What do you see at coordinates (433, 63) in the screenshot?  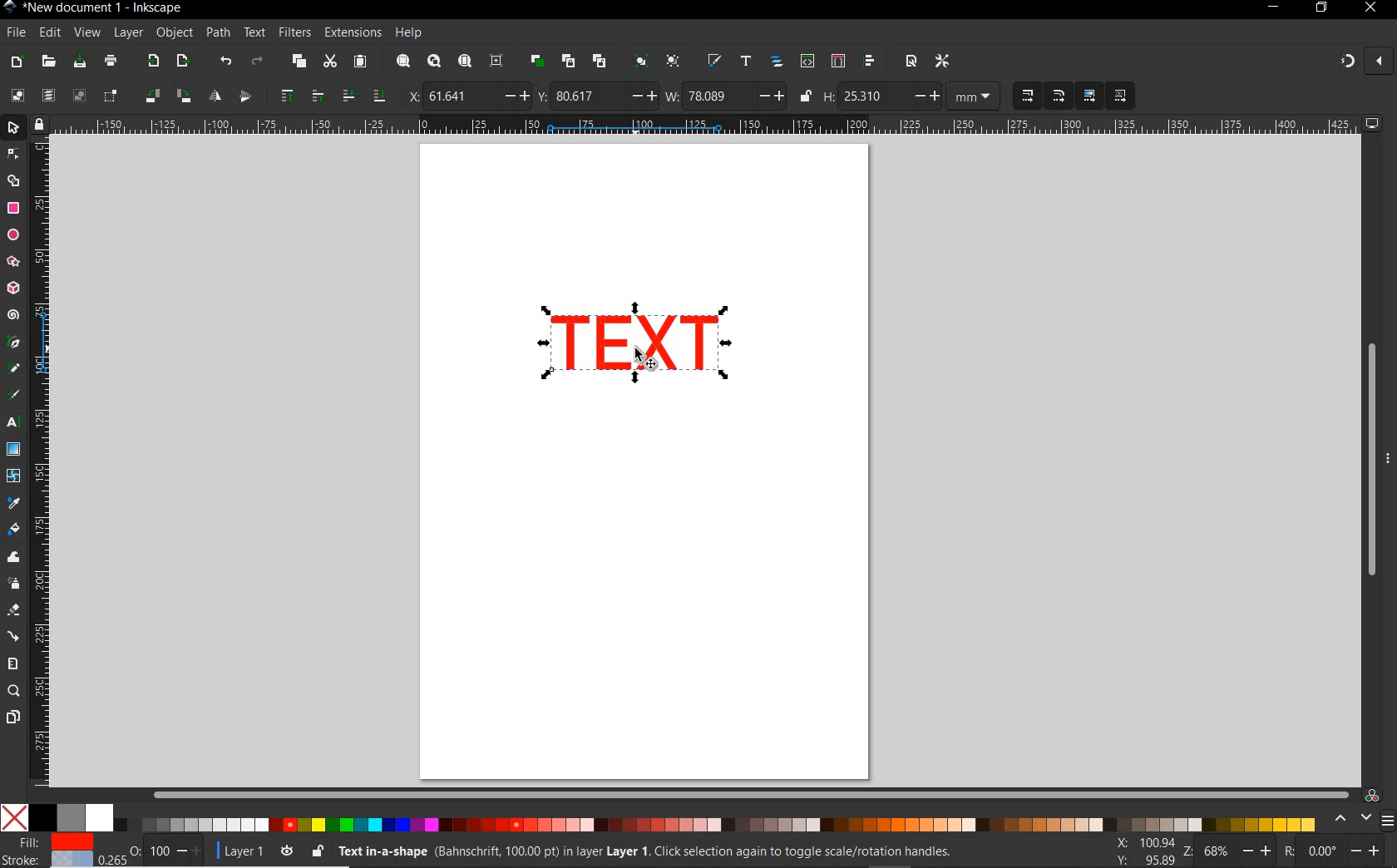 I see `zoom drawing` at bounding box center [433, 63].